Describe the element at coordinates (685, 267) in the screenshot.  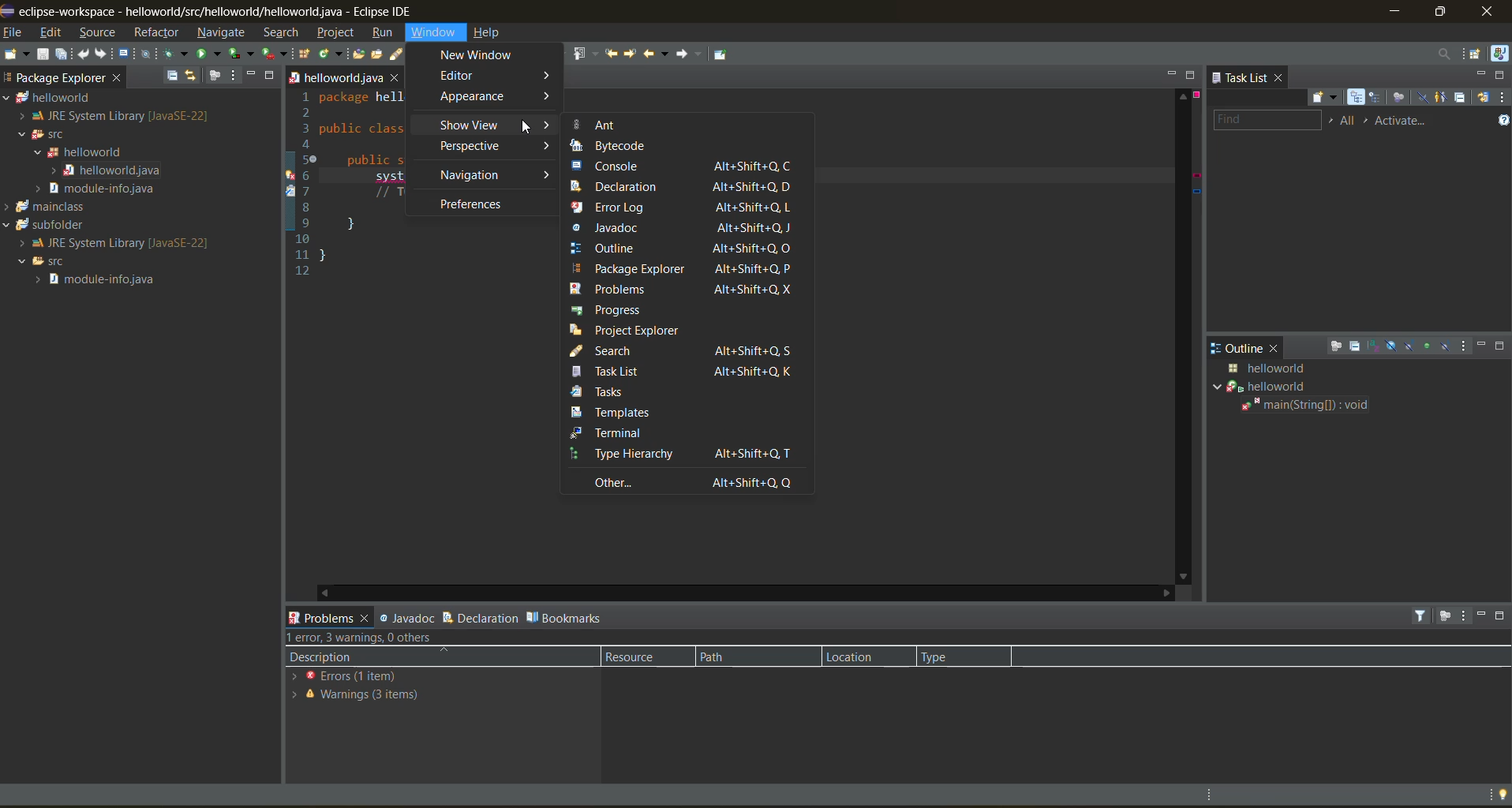
I see `package explorer` at that location.